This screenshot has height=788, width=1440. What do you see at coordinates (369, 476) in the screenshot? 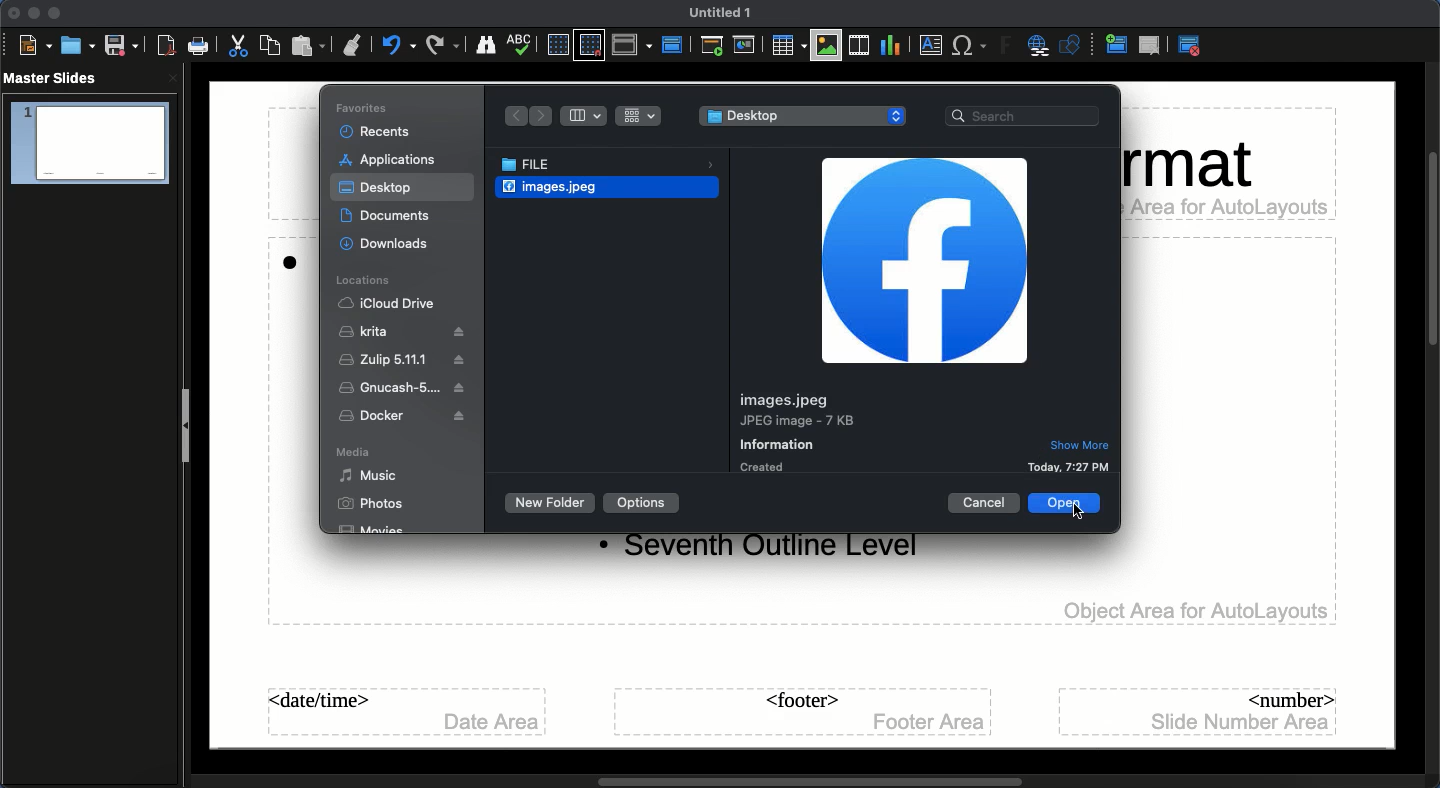
I see `Music` at bounding box center [369, 476].